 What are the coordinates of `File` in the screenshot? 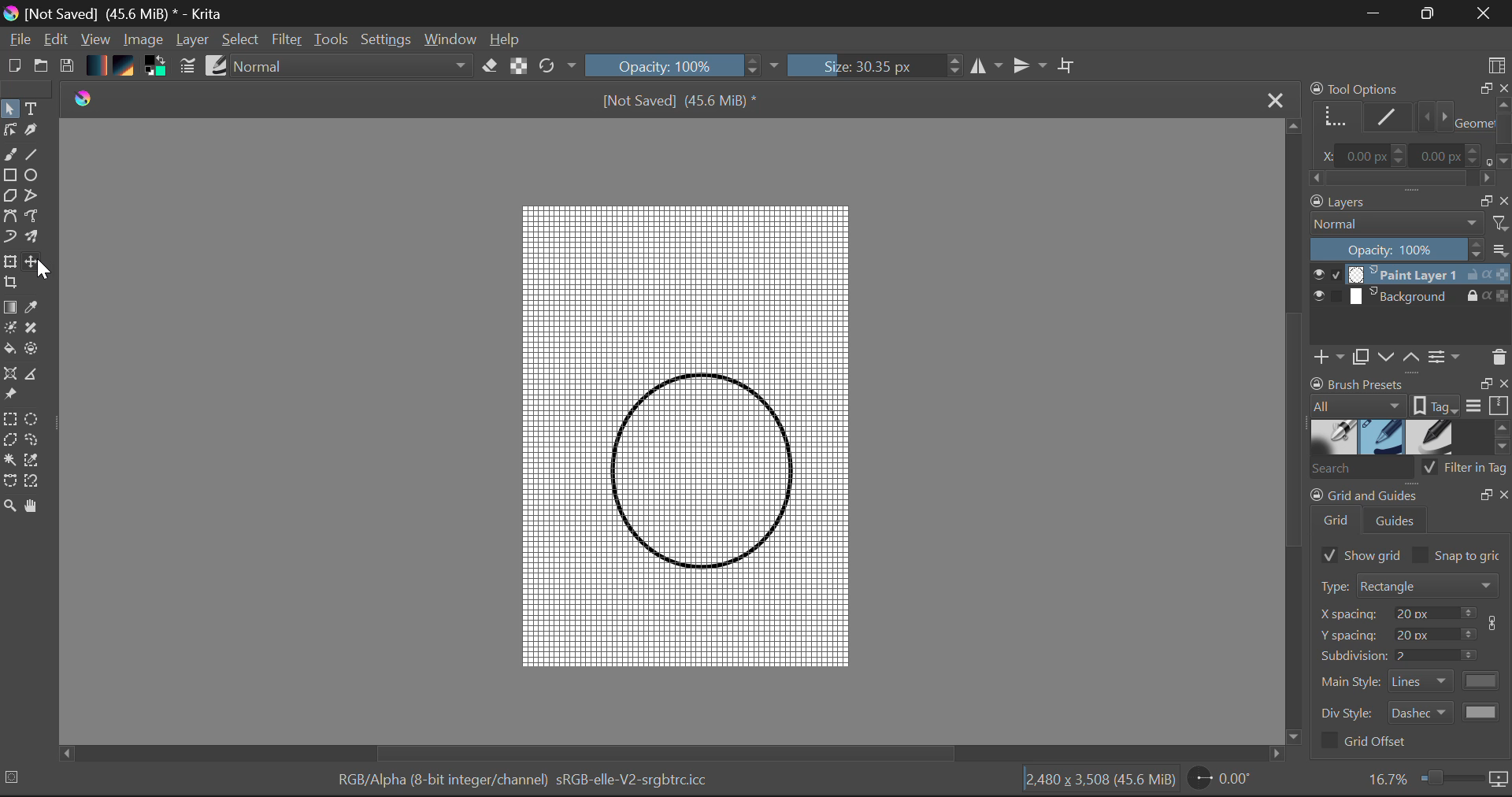 It's located at (18, 39).